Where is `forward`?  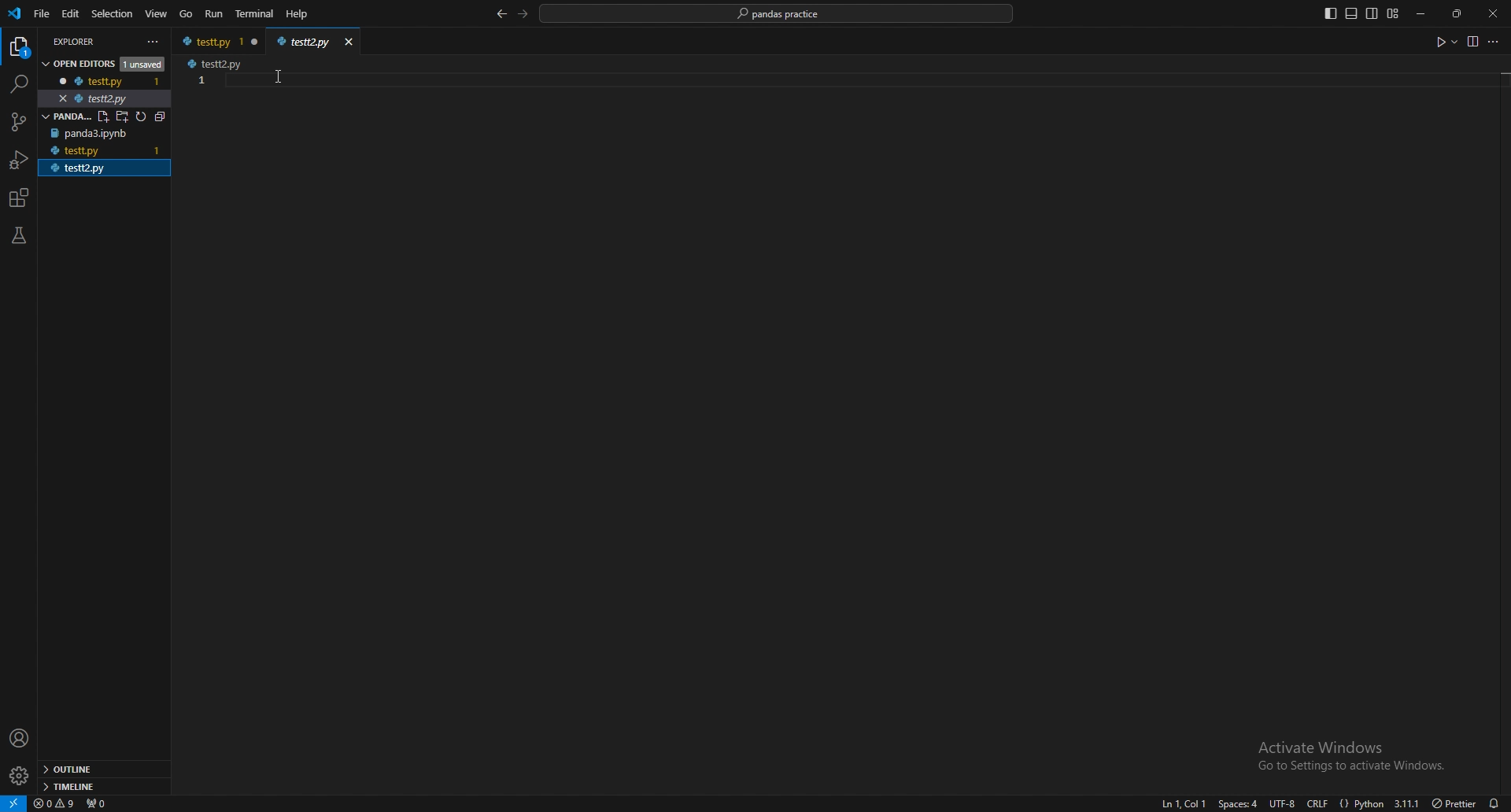 forward is located at coordinates (523, 13).